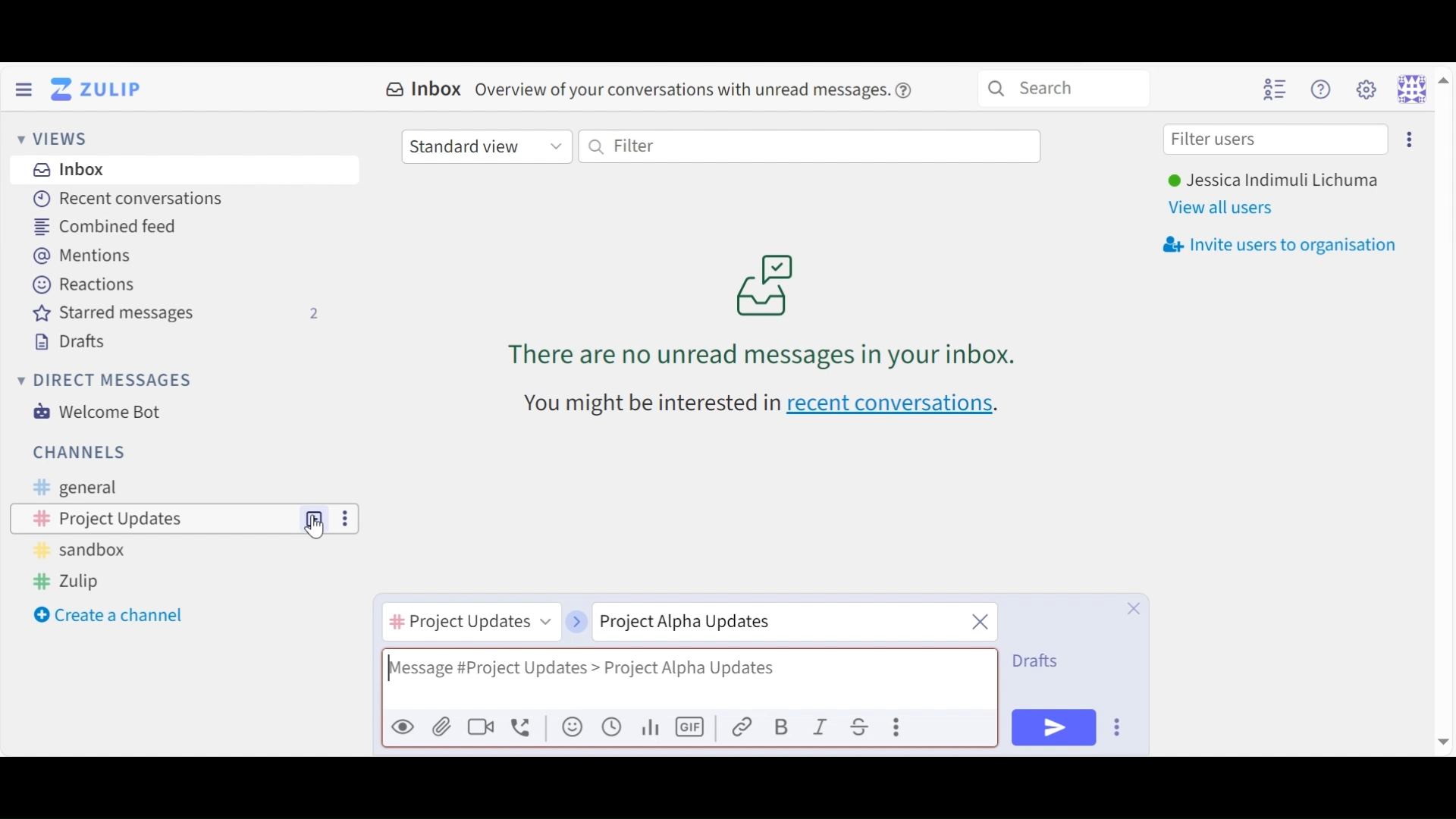  I want to click on Personal menu, so click(1421, 88).